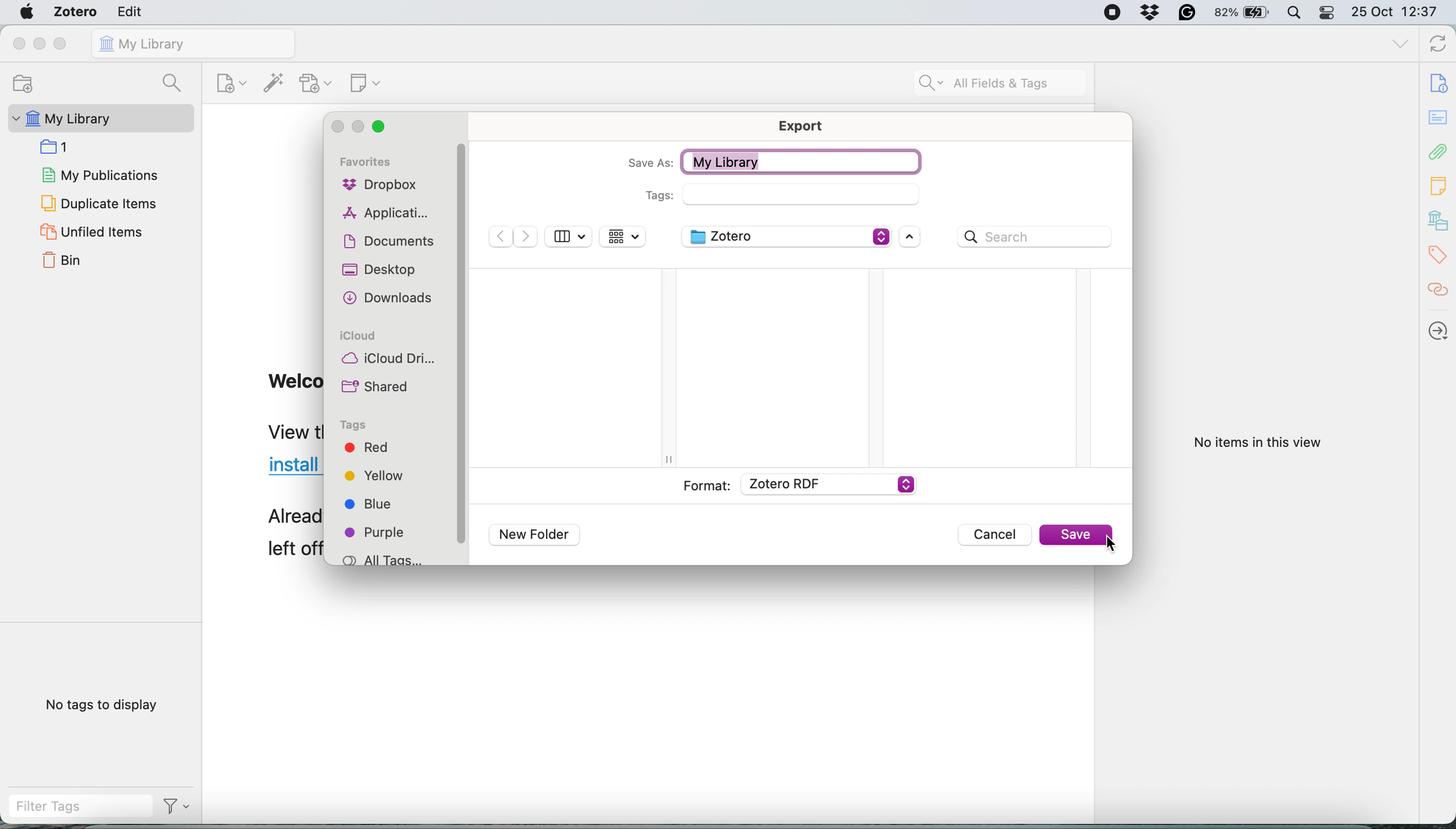 This screenshot has height=829, width=1456. What do you see at coordinates (535, 534) in the screenshot?
I see `New Folder` at bounding box center [535, 534].